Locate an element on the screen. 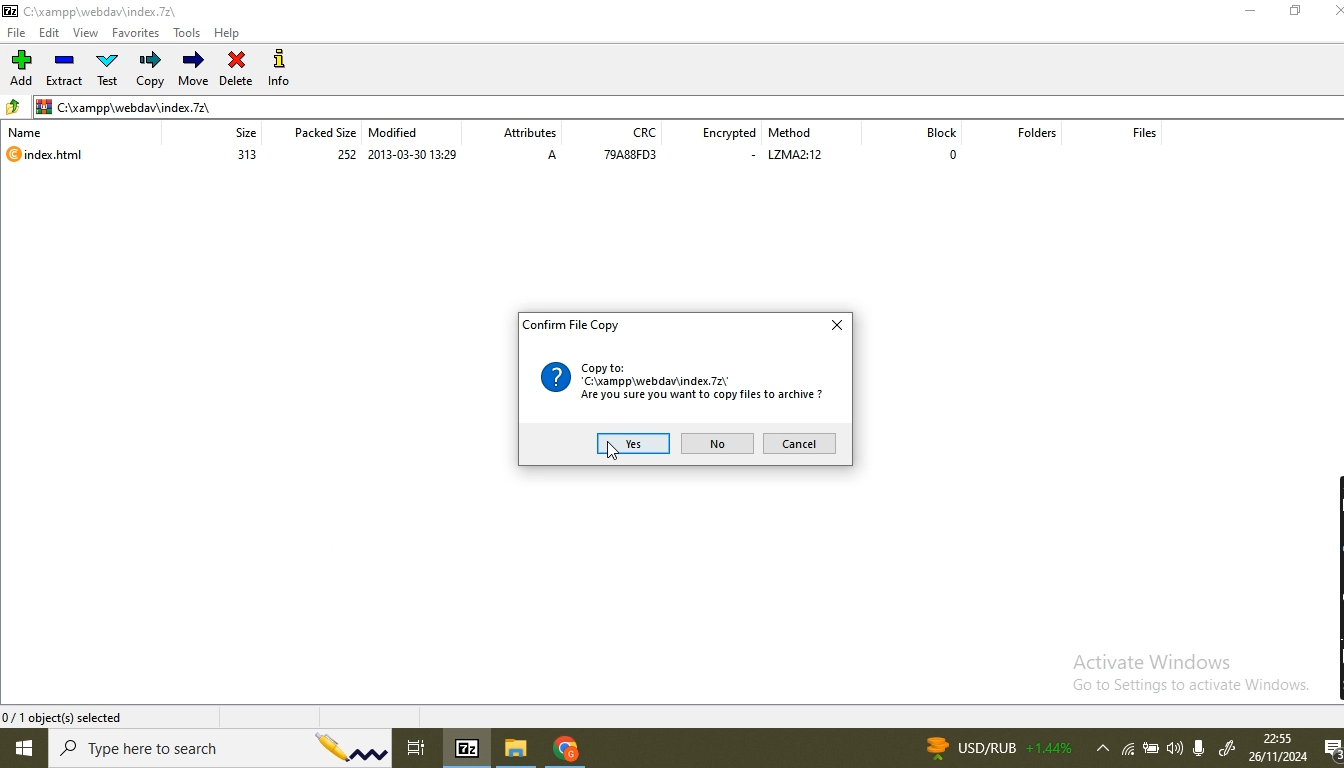 This screenshot has height=768, width=1344. news currency rate is located at coordinates (996, 747).